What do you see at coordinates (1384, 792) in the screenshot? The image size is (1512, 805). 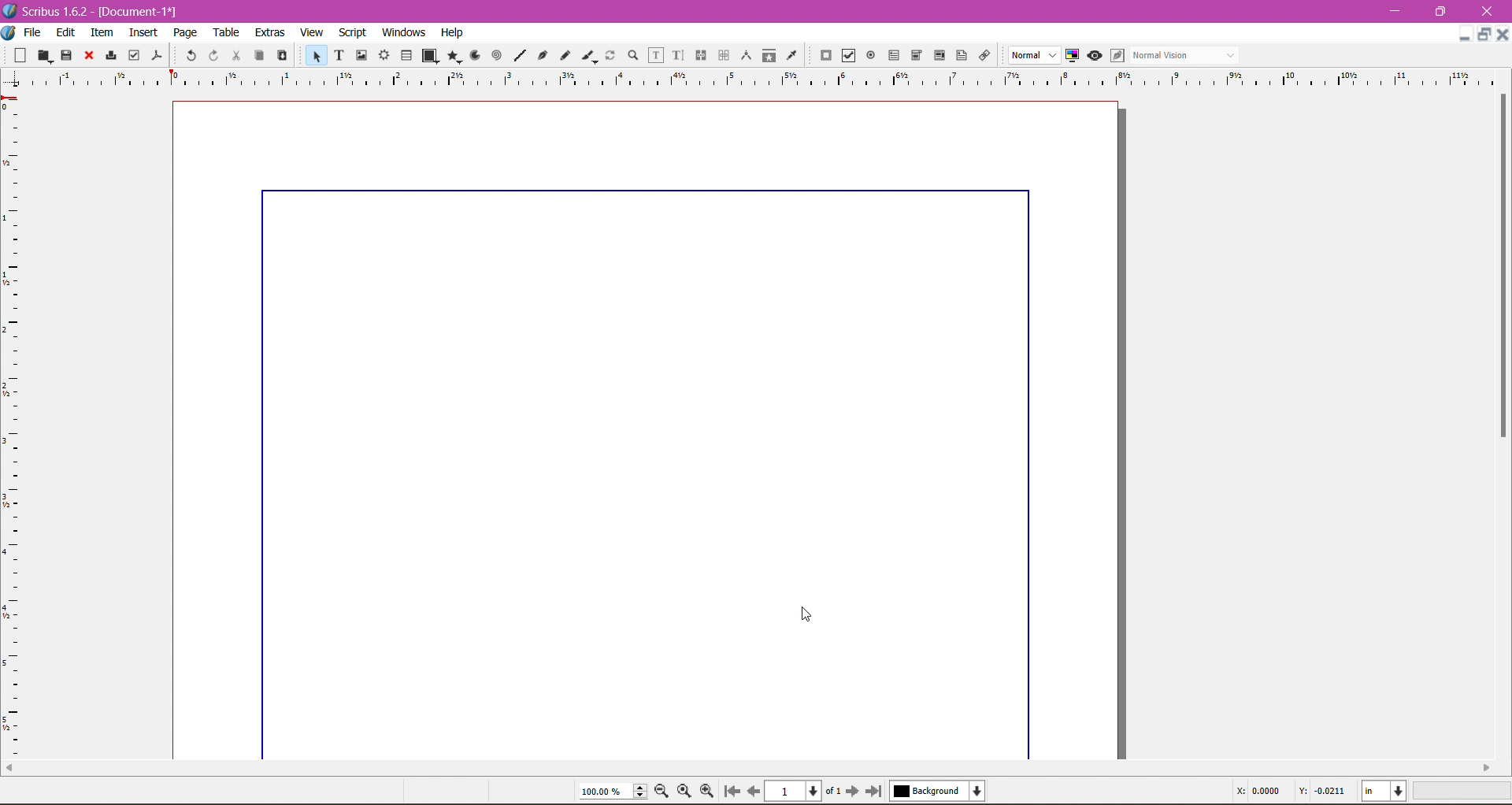 I see `Select the current unit` at bounding box center [1384, 792].